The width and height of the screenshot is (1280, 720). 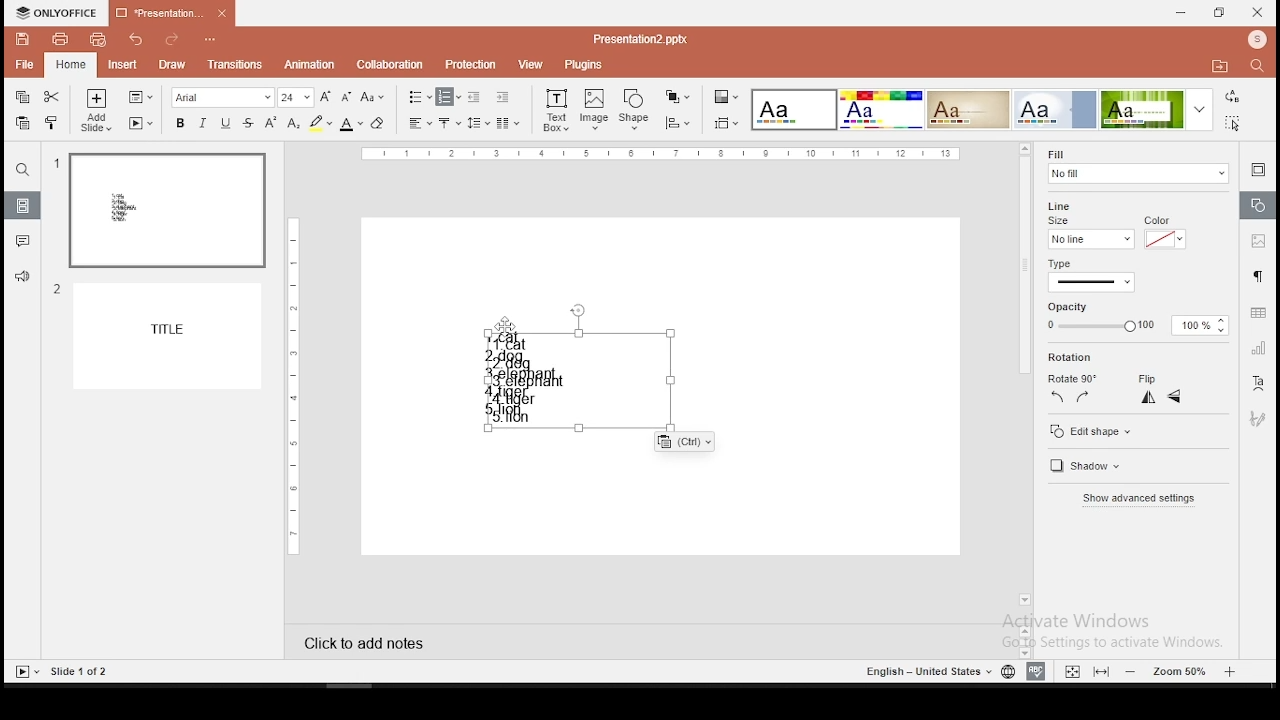 I want to click on close window, so click(x=1258, y=12).